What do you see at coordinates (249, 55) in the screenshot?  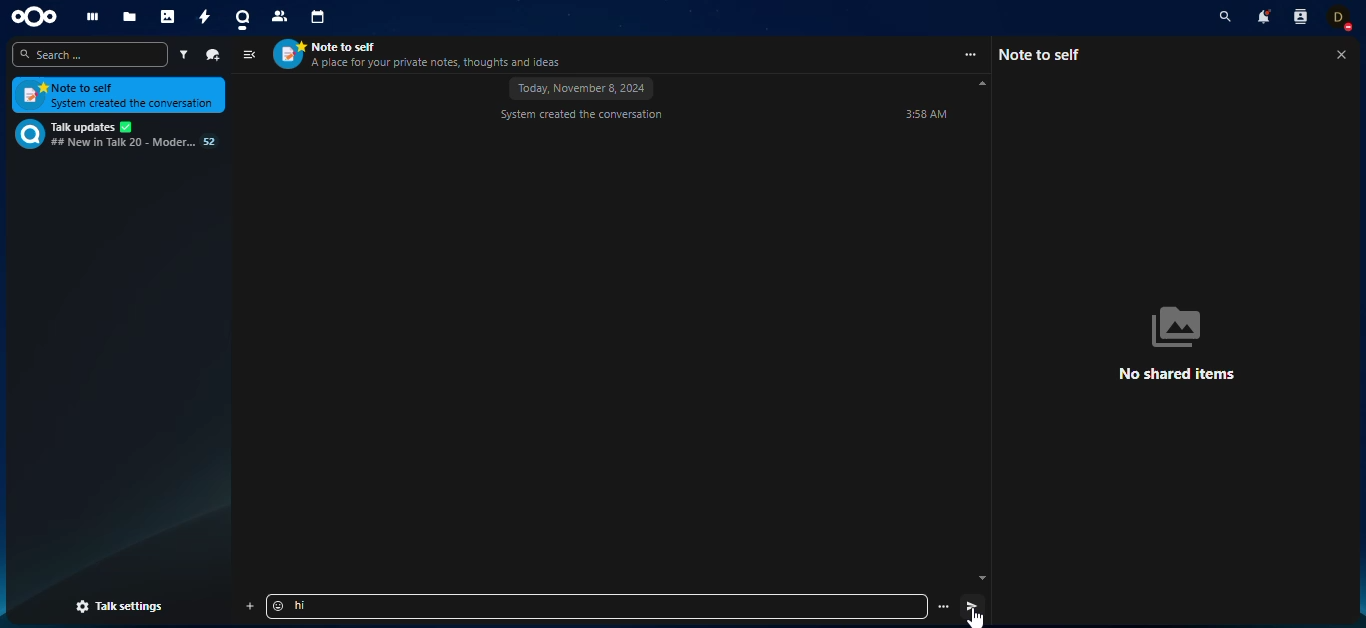 I see `view` at bounding box center [249, 55].